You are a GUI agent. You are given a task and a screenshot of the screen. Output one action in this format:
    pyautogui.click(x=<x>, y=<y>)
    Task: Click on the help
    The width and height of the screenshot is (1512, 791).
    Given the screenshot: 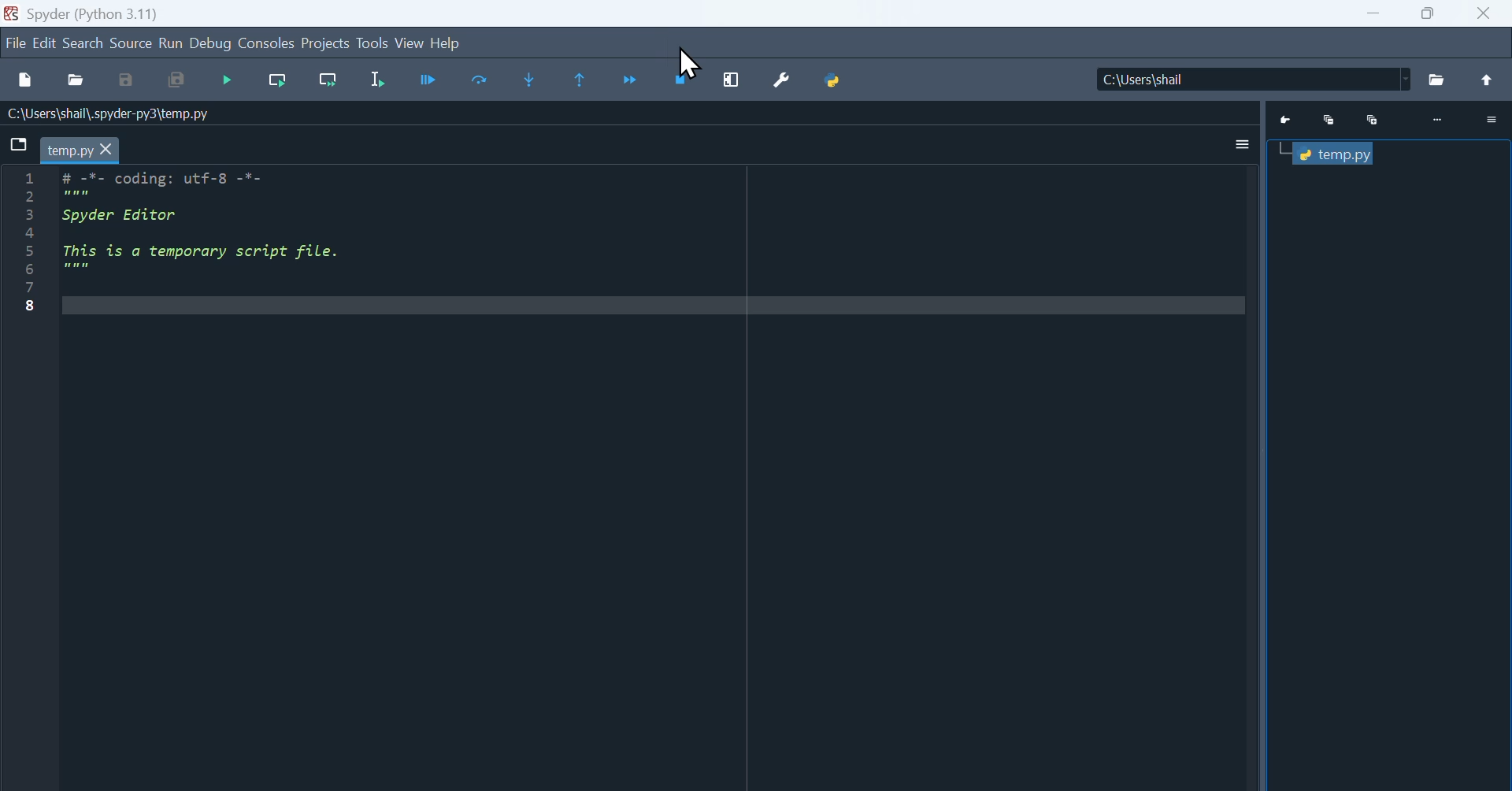 What is the action you would take?
    pyautogui.click(x=445, y=43)
    